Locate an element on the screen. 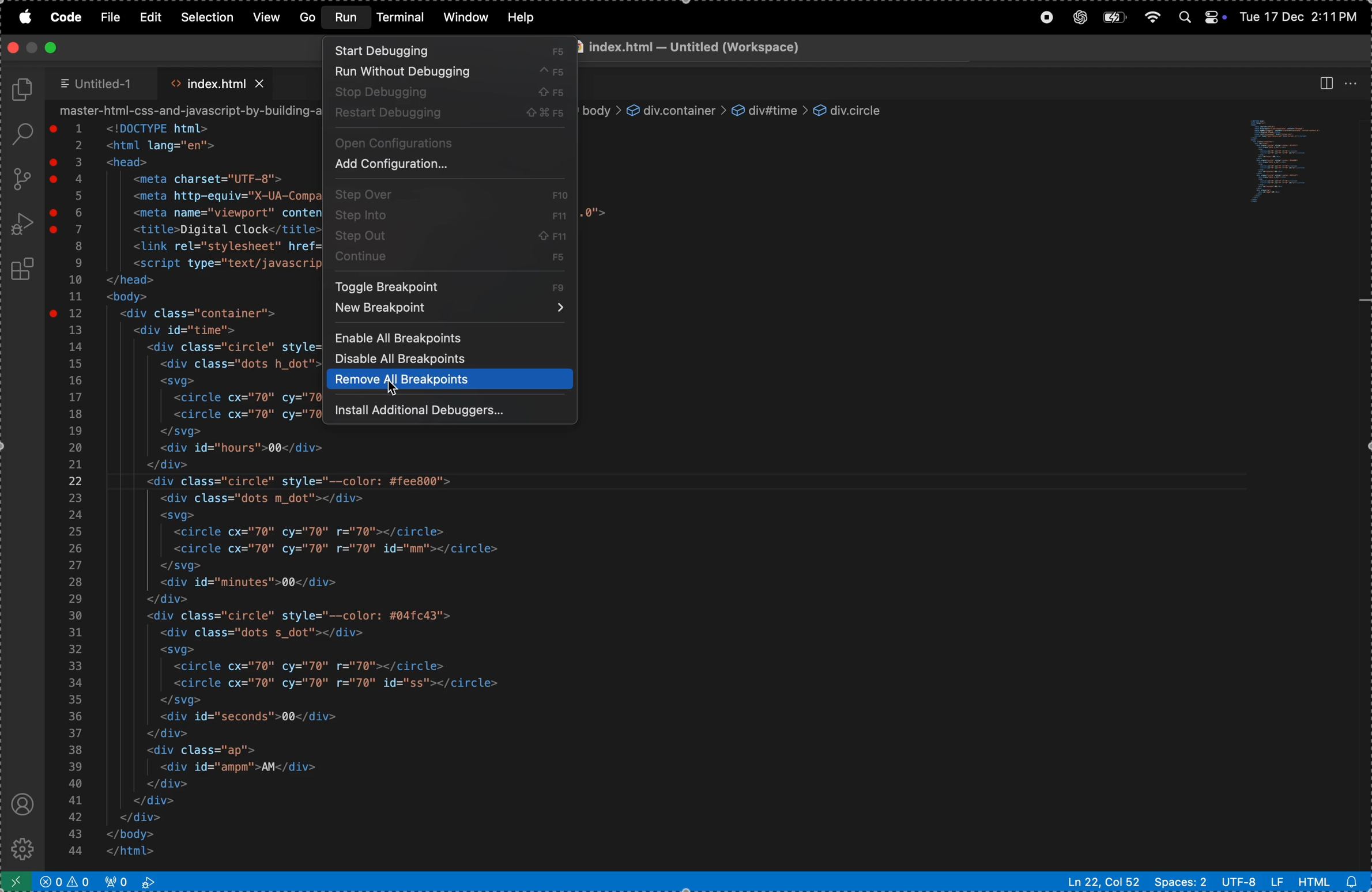 This screenshot has height=892, width=1372. view is located at coordinates (269, 17).